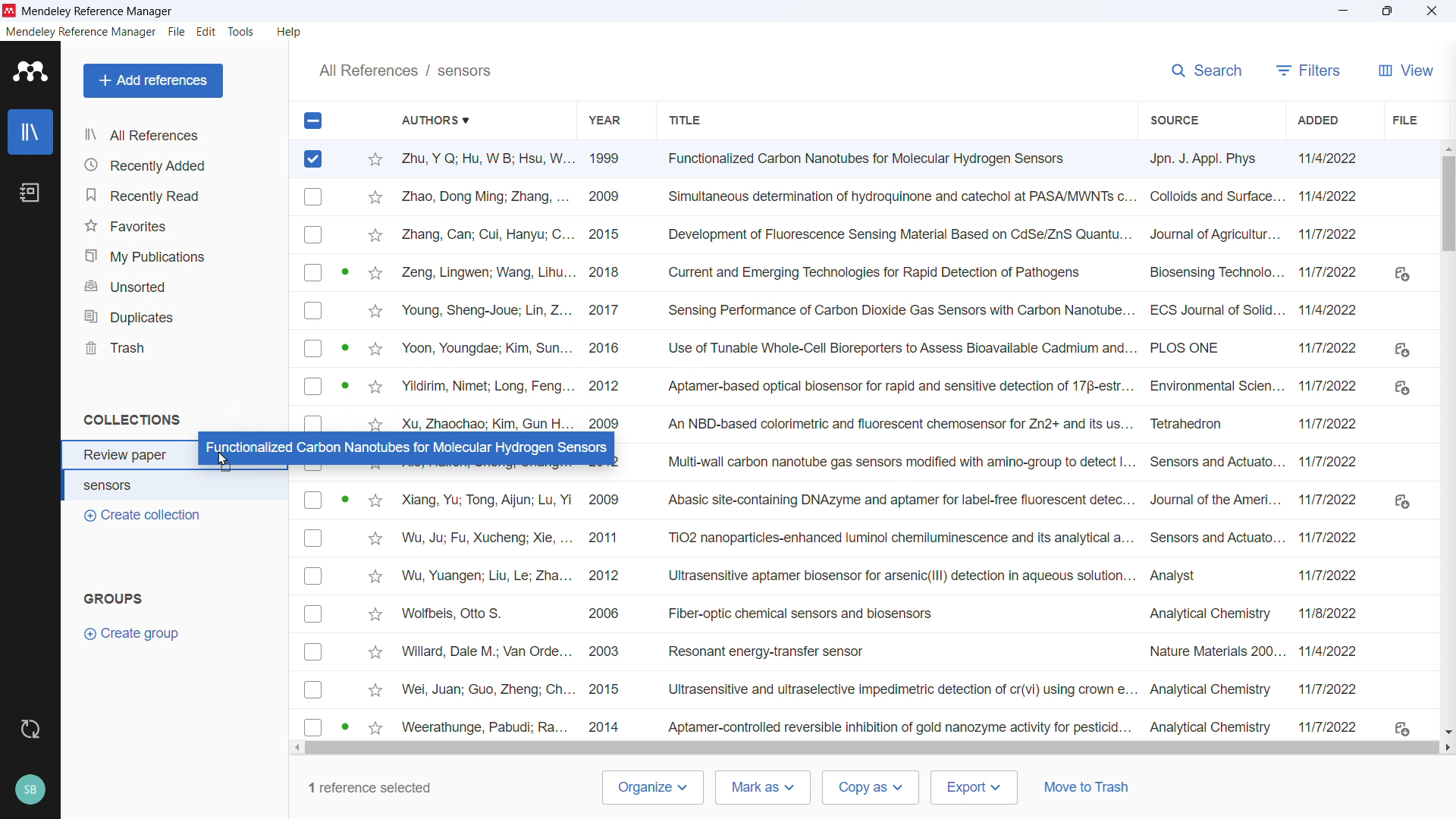 The width and height of the screenshot is (1456, 819). What do you see at coordinates (134, 419) in the screenshot?
I see `Collections ` at bounding box center [134, 419].